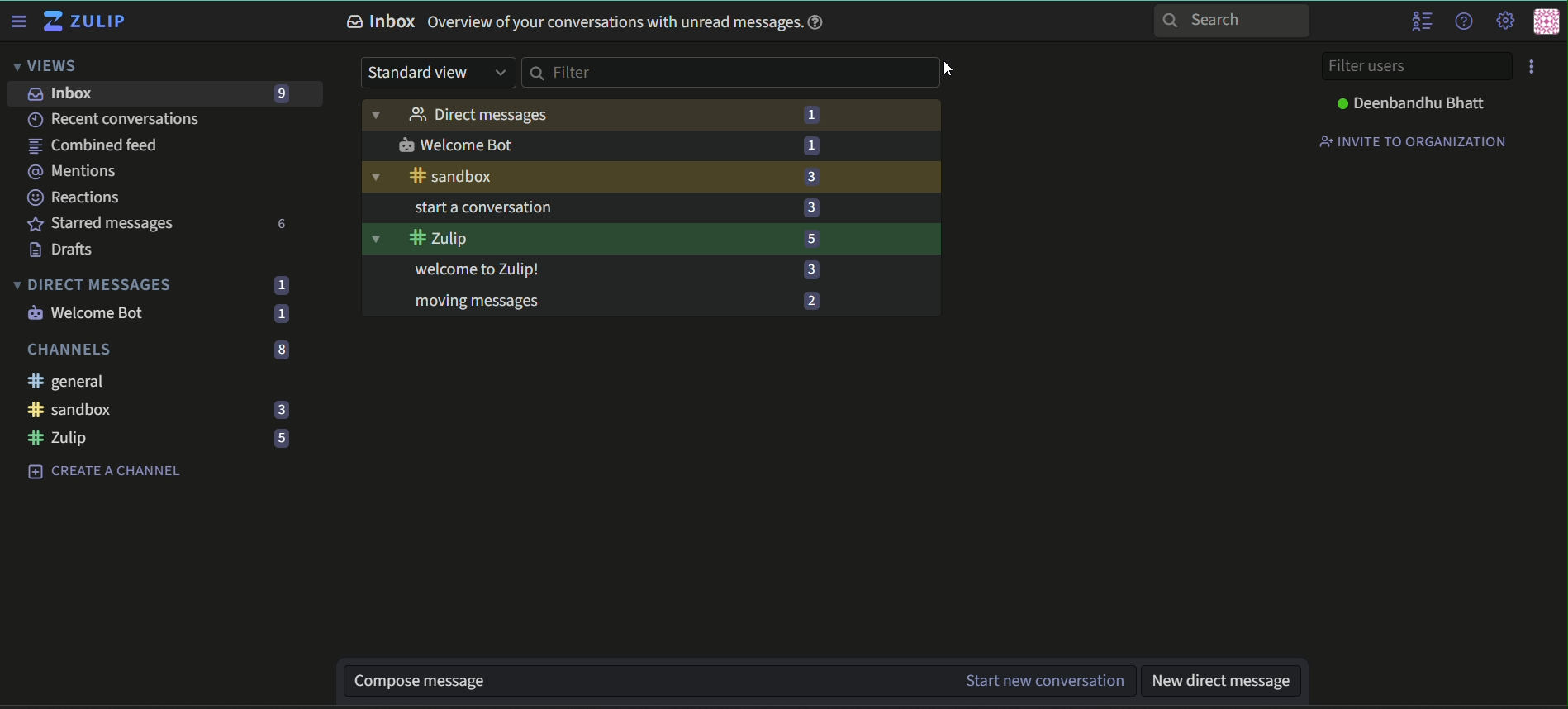 The width and height of the screenshot is (1568, 709). I want to click on text, so click(590, 23).